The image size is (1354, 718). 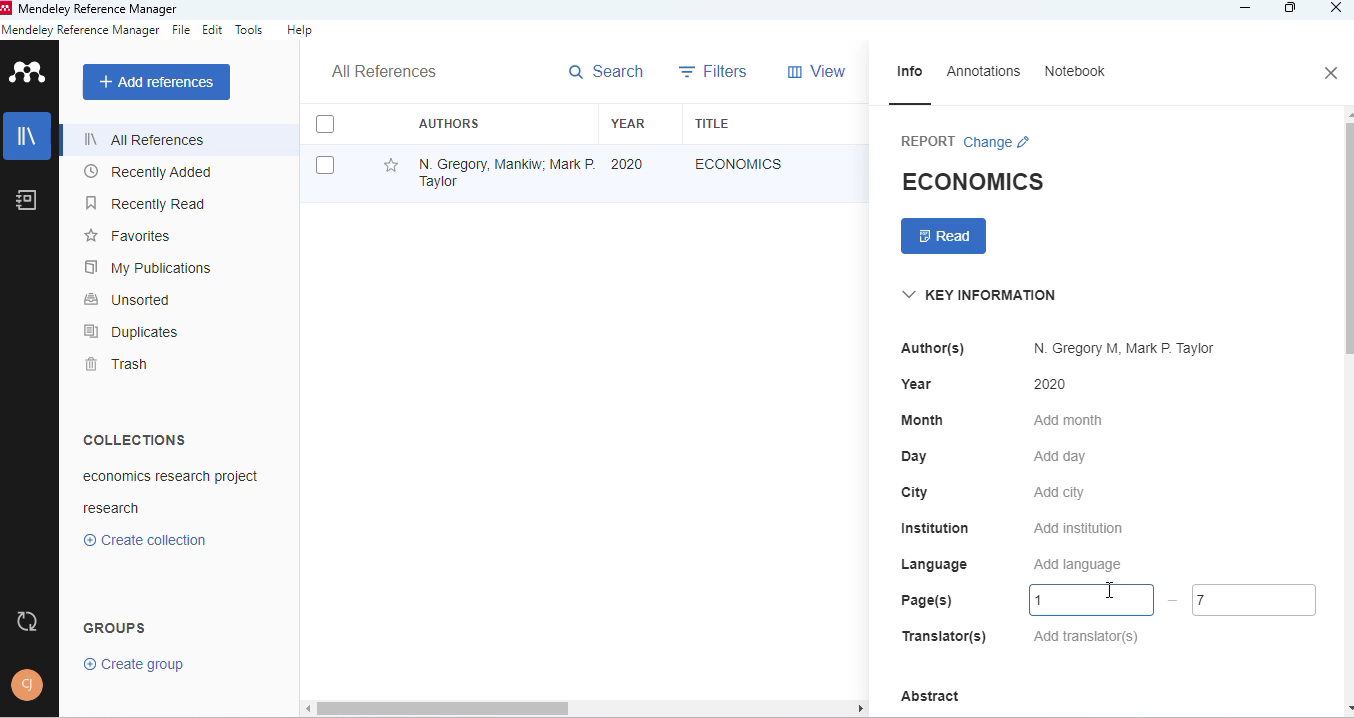 What do you see at coordinates (972, 181) in the screenshot?
I see `economics` at bounding box center [972, 181].